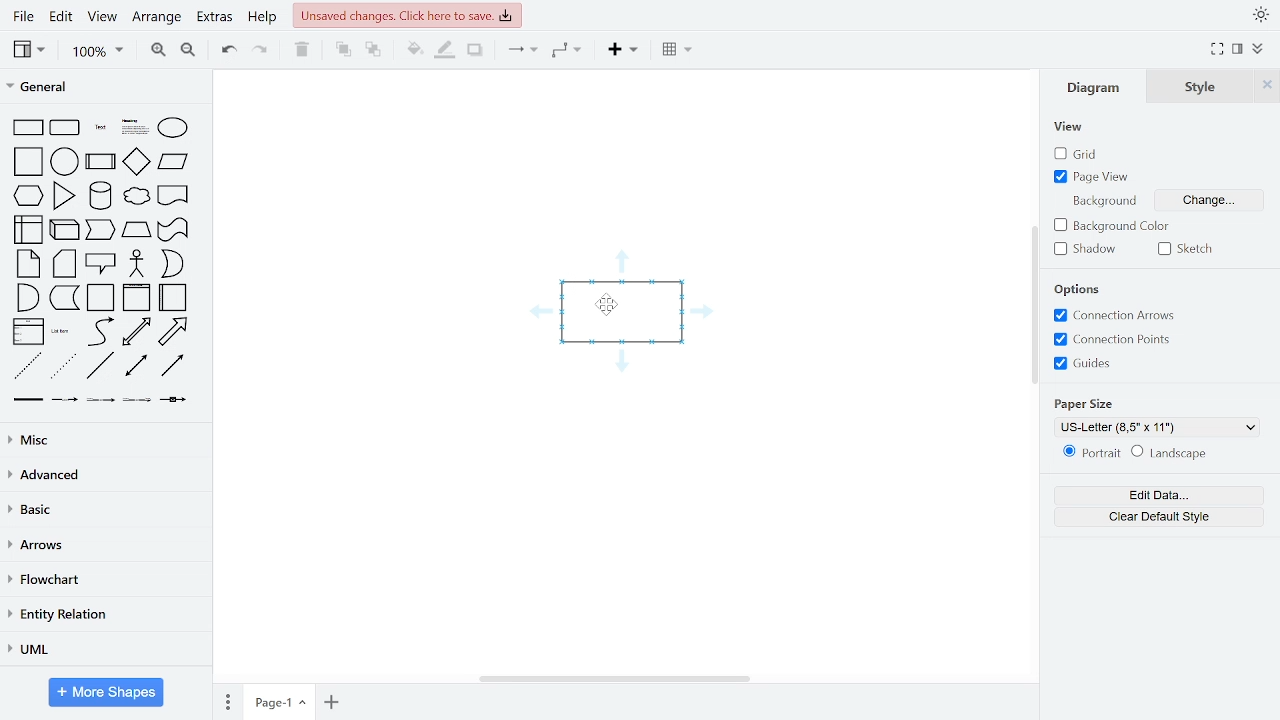 The image size is (1280, 720). Describe the element at coordinates (98, 195) in the screenshot. I see `cylinder` at that location.